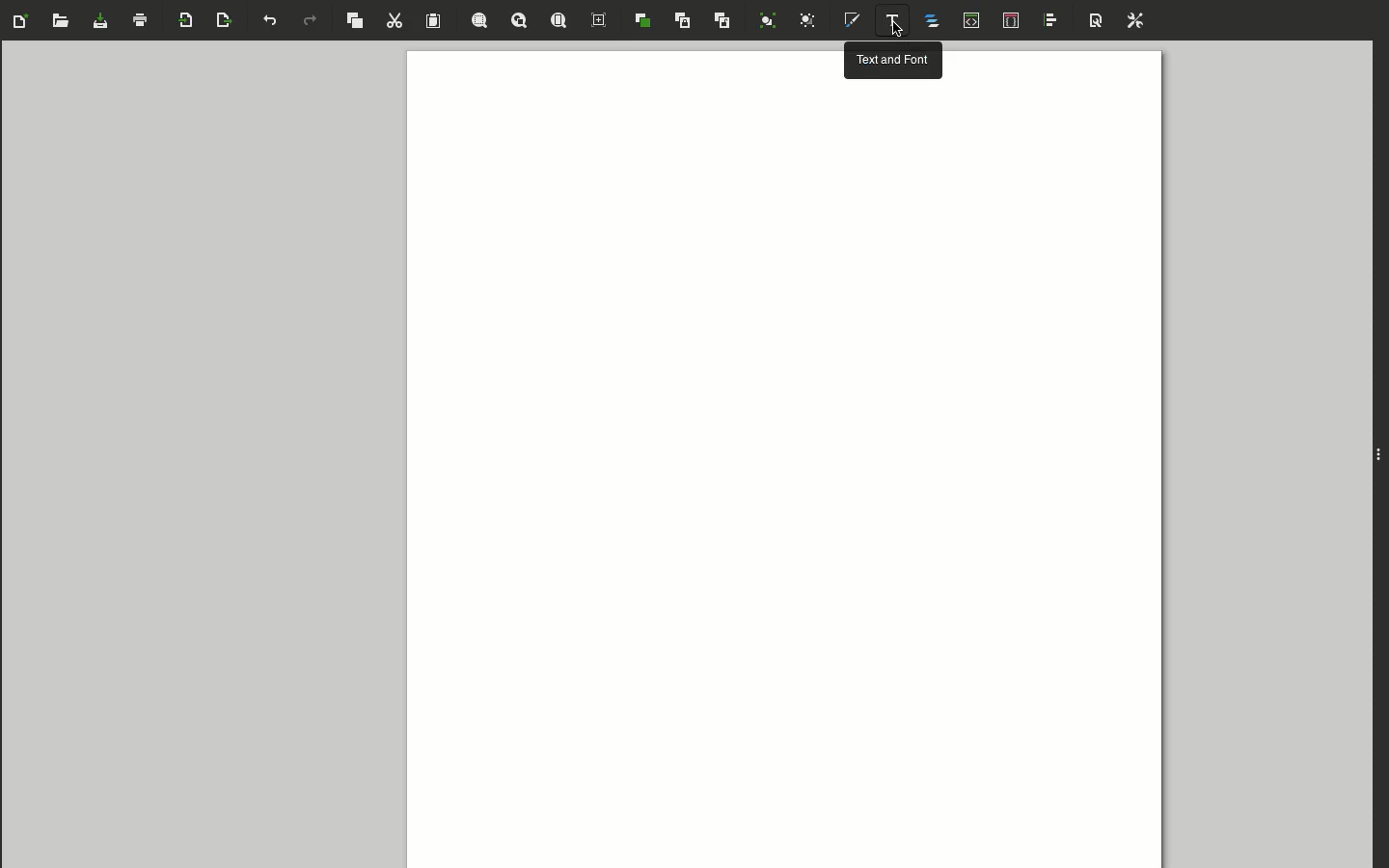  Describe the element at coordinates (972, 23) in the screenshot. I see `XML editor` at that location.